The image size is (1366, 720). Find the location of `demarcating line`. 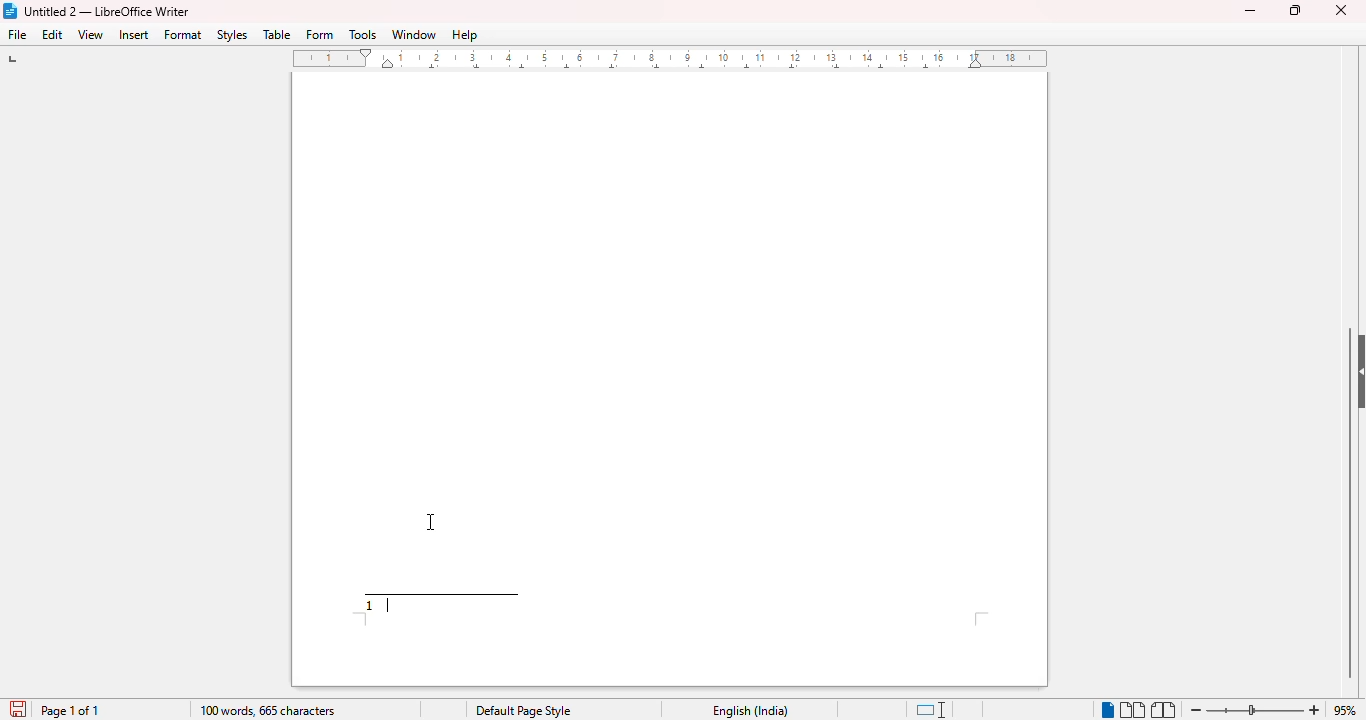

demarcating line is located at coordinates (444, 590).